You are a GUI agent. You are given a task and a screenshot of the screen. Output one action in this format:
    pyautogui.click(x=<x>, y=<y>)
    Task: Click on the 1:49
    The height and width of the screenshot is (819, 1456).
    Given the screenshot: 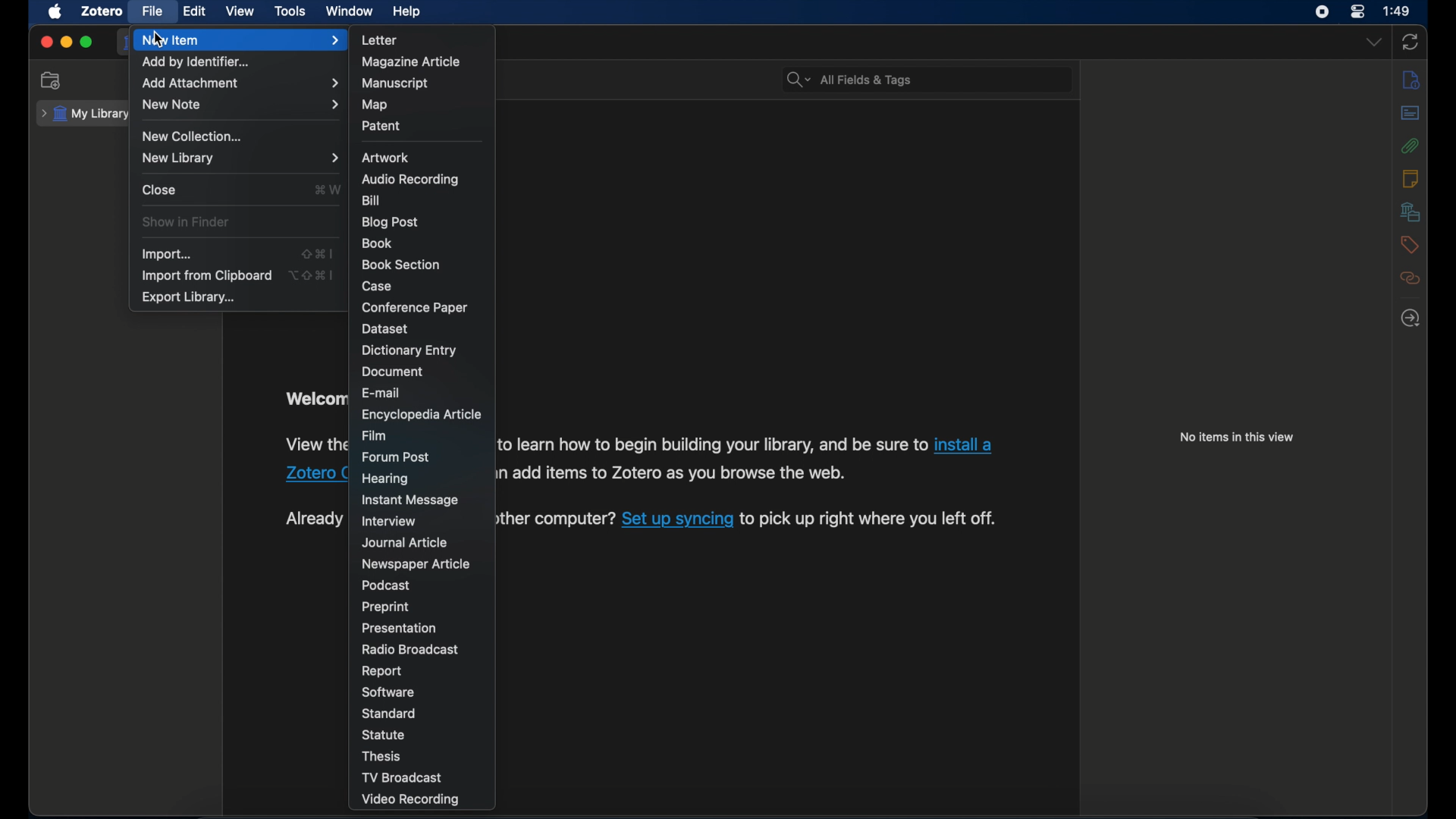 What is the action you would take?
    pyautogui.click(x=1397, y=10)
    